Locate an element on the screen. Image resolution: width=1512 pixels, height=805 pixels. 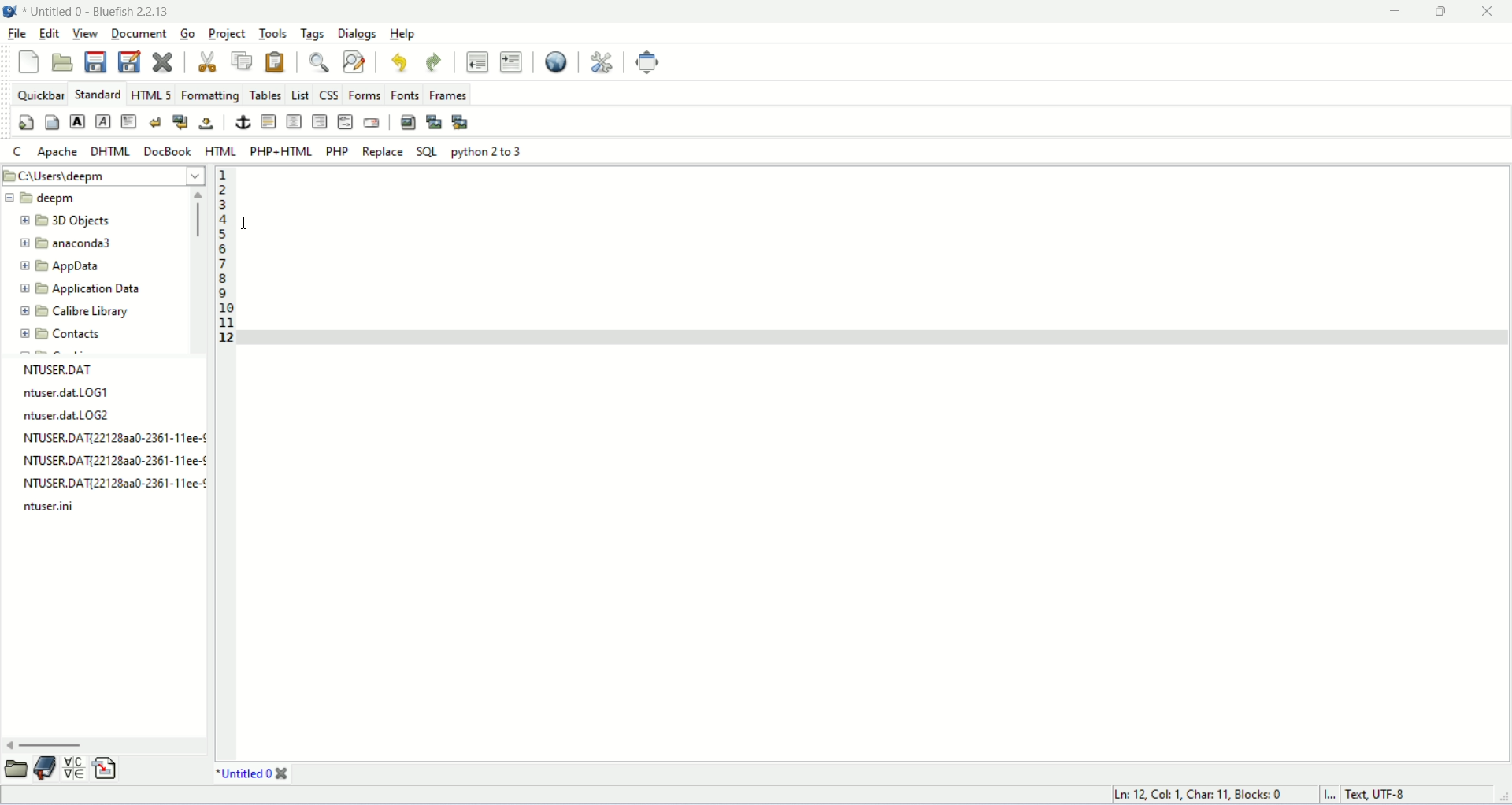
folder name is located at coordinates (97, 221).